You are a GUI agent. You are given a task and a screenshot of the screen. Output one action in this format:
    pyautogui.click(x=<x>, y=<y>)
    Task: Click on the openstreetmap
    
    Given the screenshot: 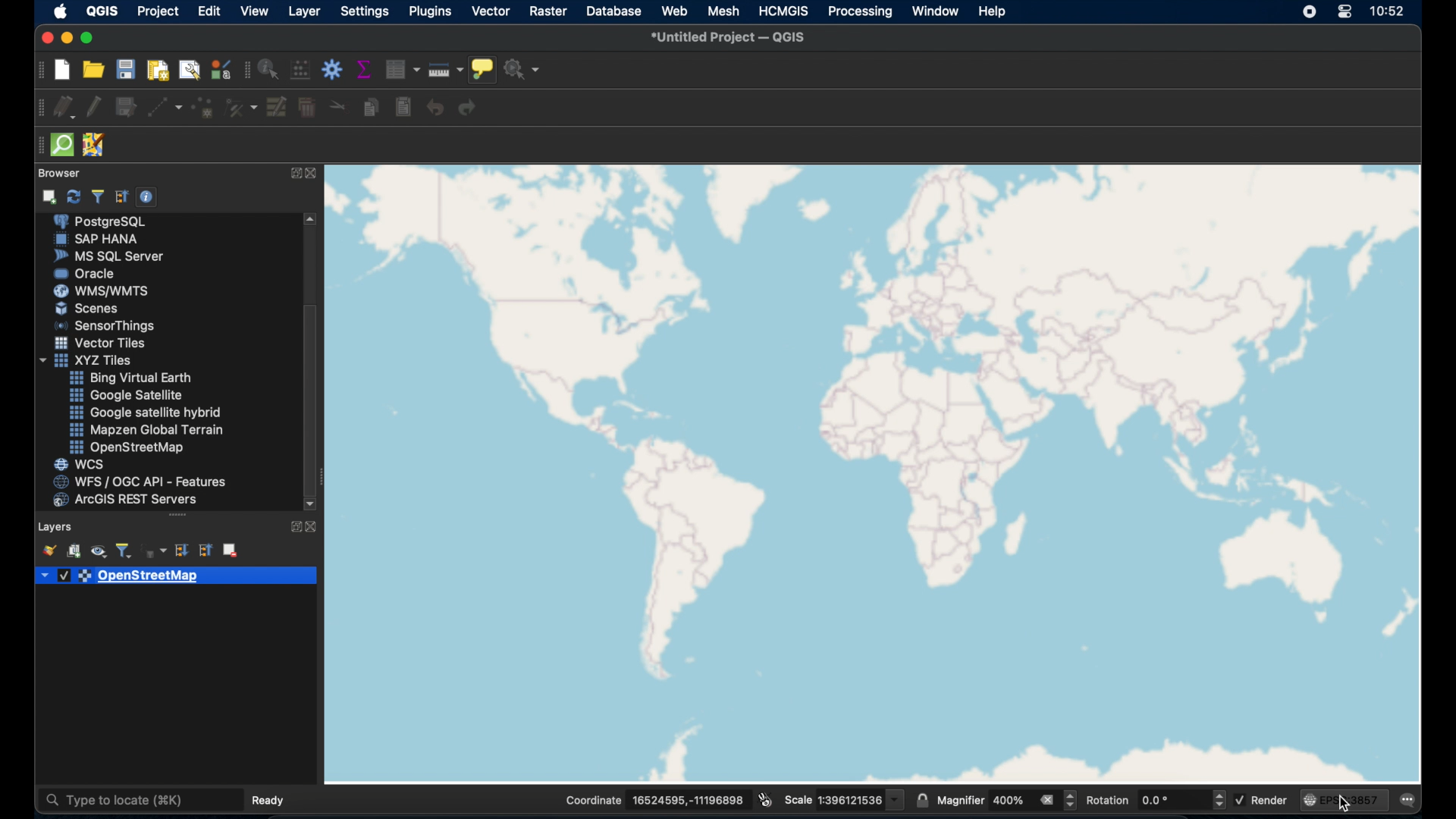 What is the action you would take?
    pyautogui.click(x=880, y=470)
    